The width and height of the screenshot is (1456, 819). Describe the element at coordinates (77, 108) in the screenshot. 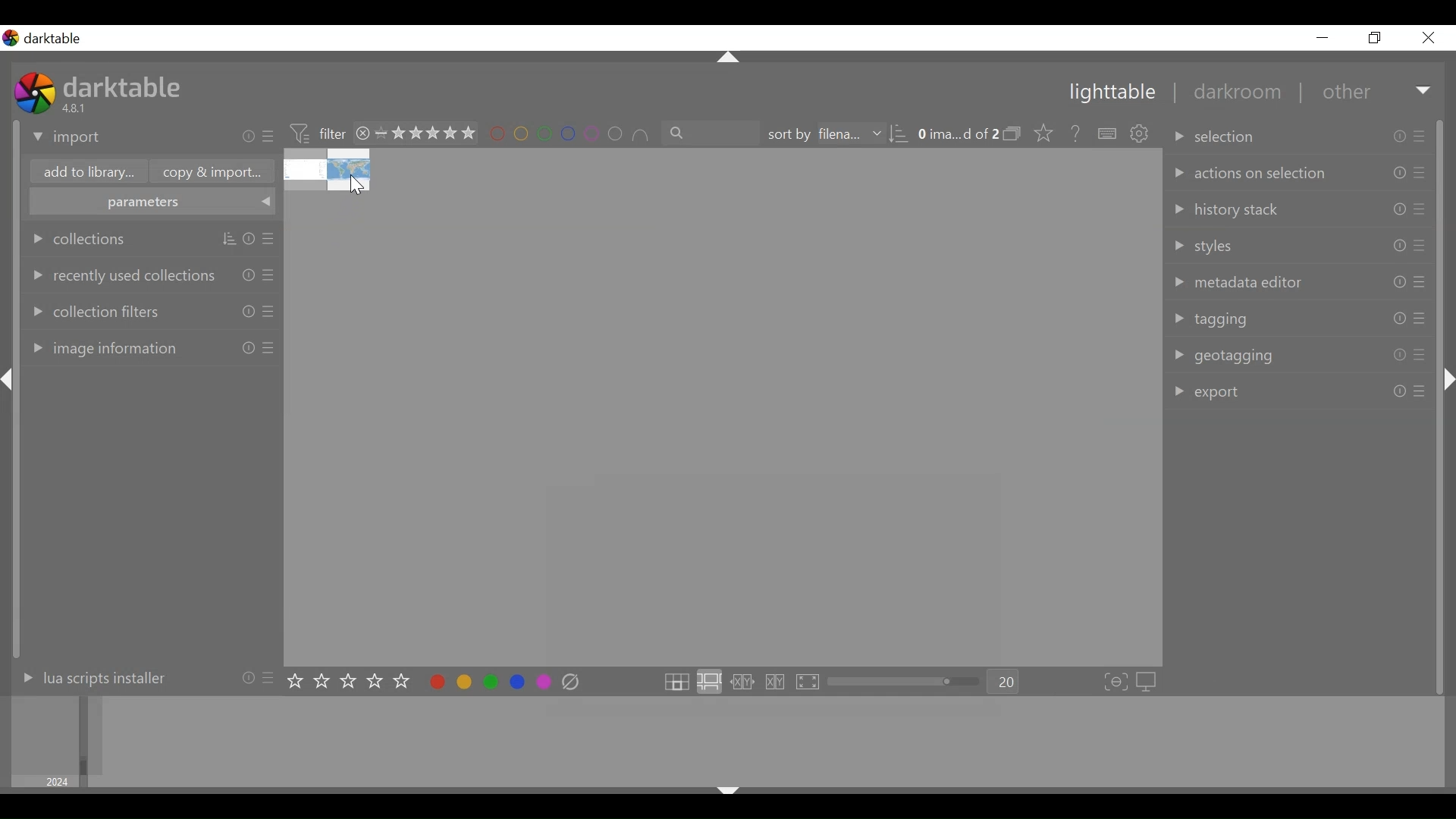

I see `Version` at that location.